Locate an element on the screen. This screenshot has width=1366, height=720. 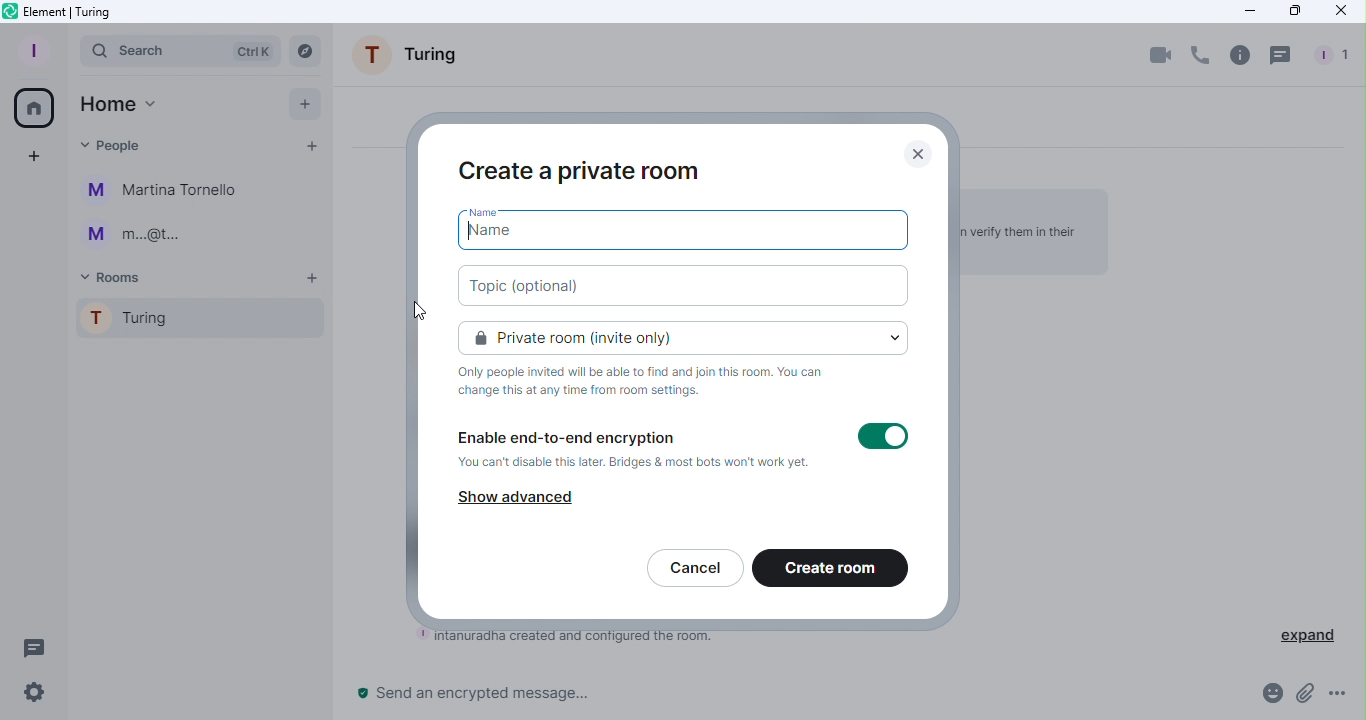
Add room is located at coordinates (314, 279).